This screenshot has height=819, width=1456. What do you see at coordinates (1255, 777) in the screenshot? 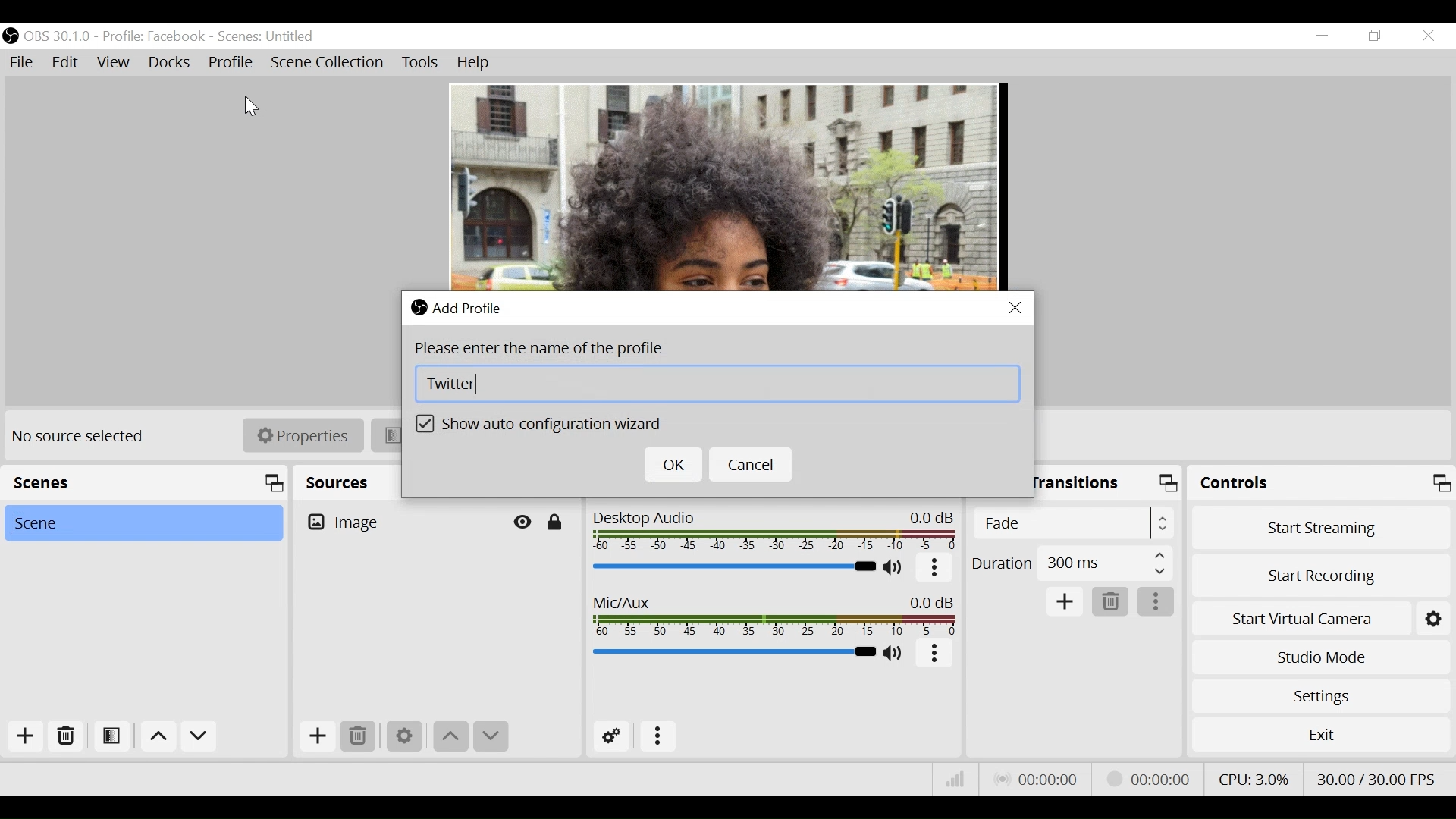
I see `CPU Usage` at bounding box center [1255, 777].